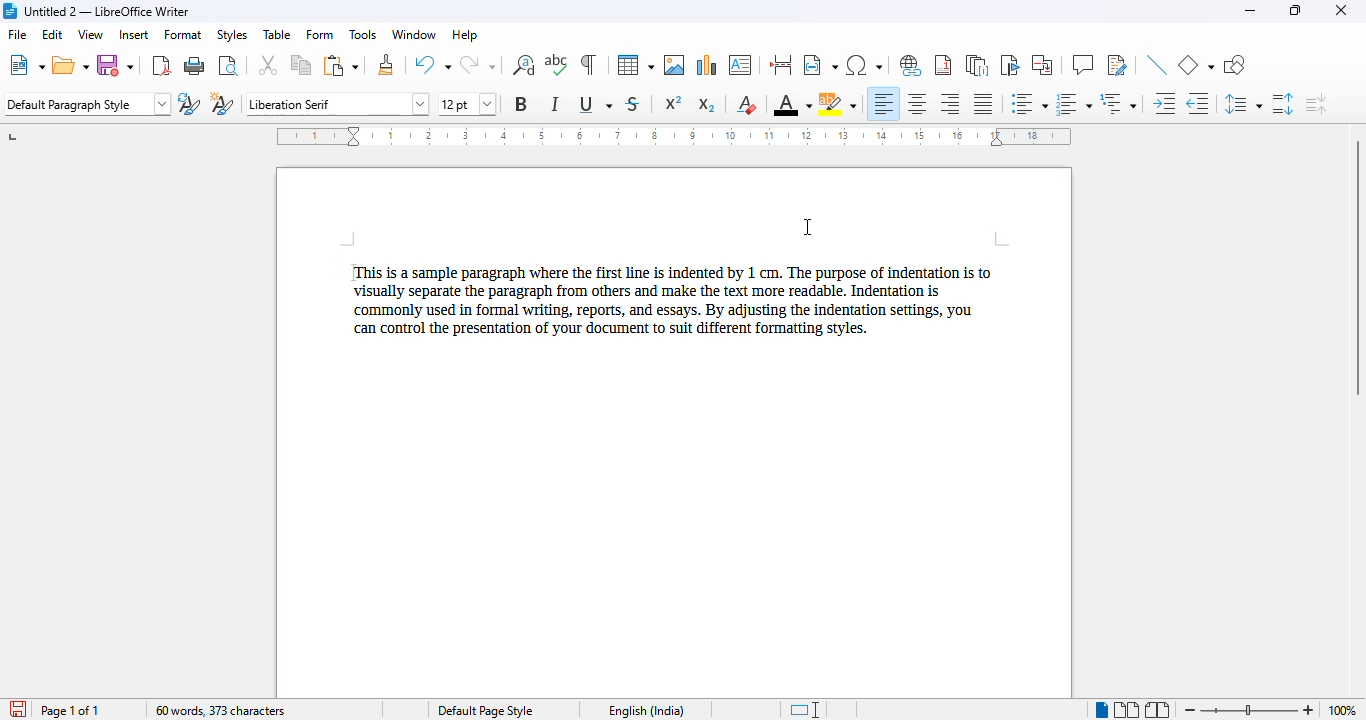 The height and width of the screenshot is (720, 1366). What do you see at coordinates (949, 103) in the screenshot?
I see `align right` at bounding box center [949, 103].